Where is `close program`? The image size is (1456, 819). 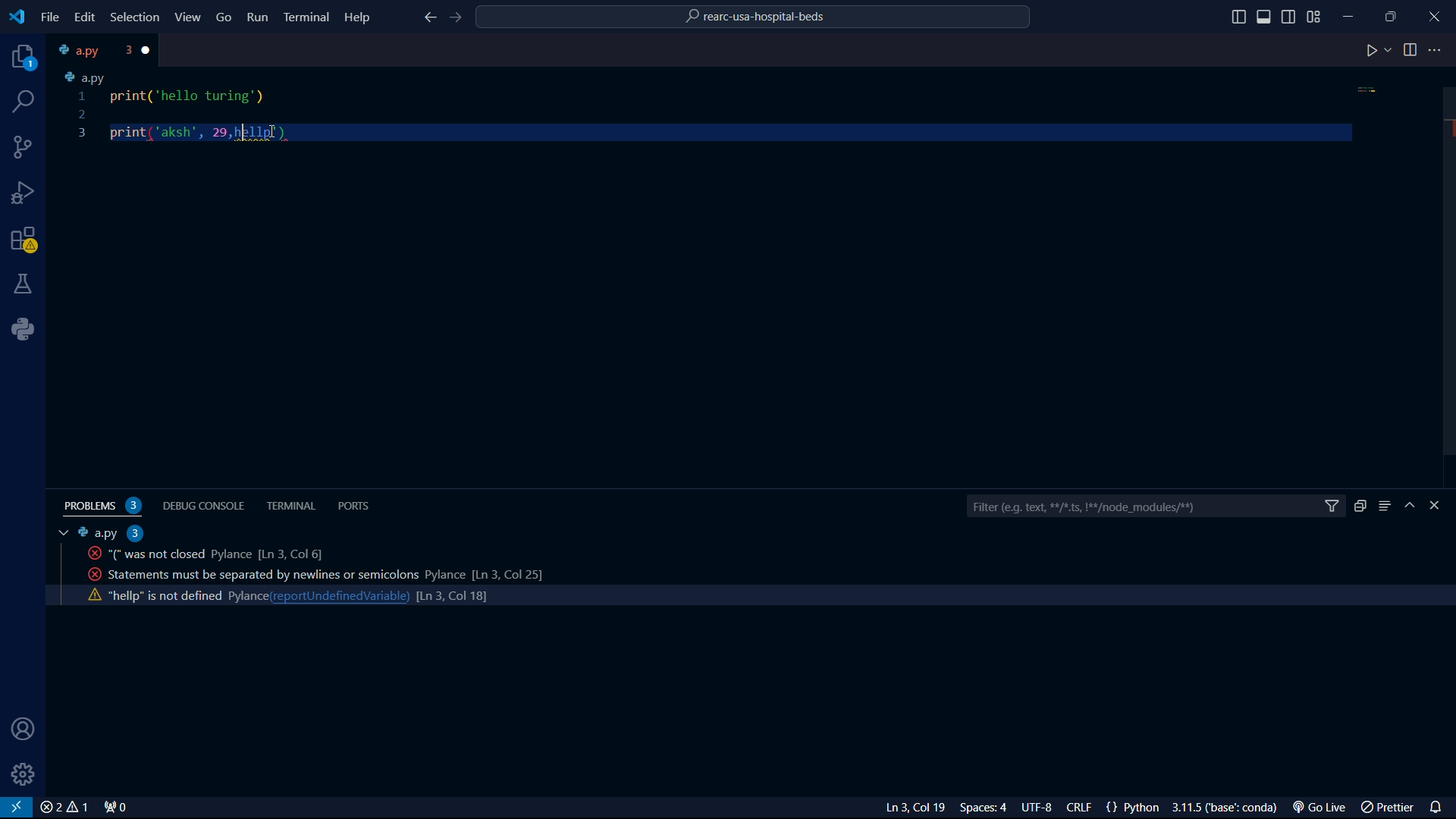 close program is located at coordinates (1435, 14).